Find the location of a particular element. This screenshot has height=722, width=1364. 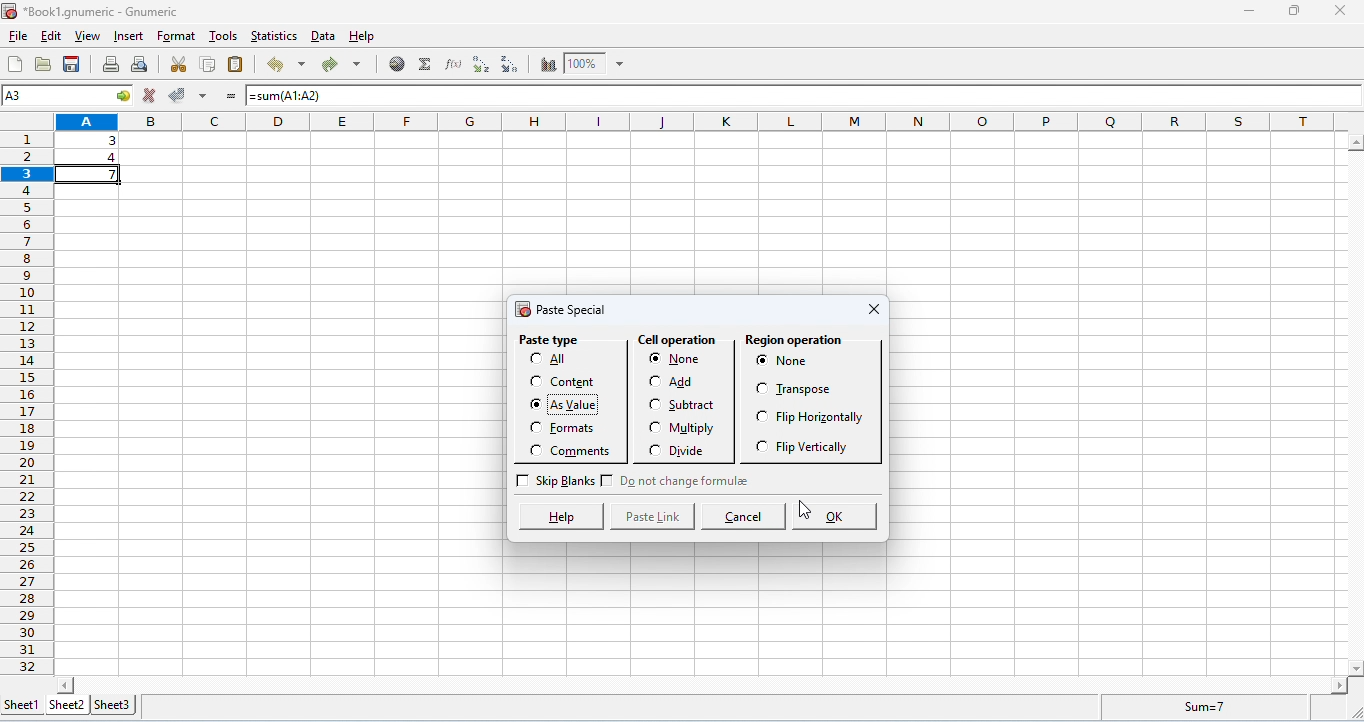

open is located at coordinates (43, 64).